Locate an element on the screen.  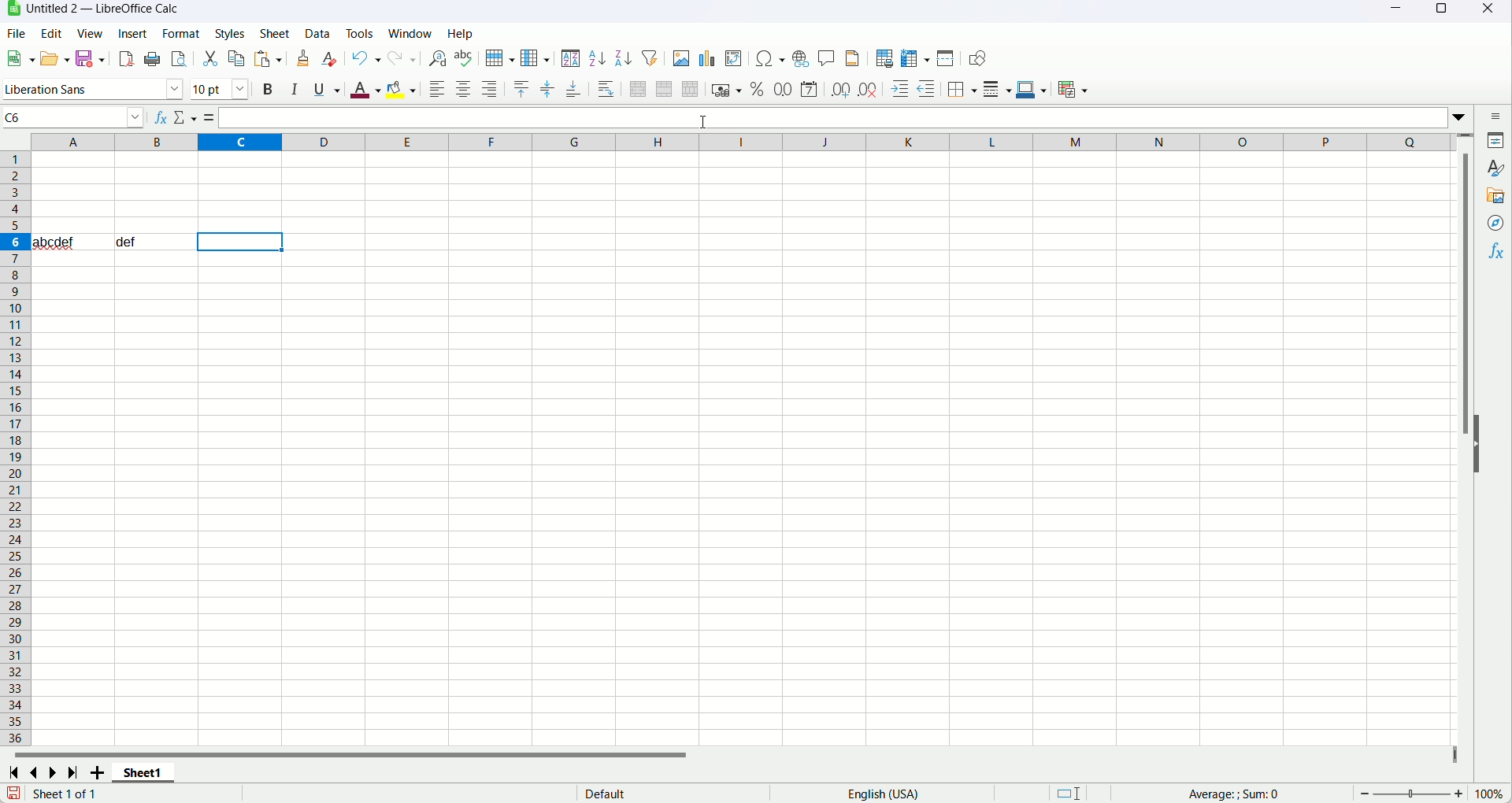
insert pivot table is located at coordinates (735, 59).